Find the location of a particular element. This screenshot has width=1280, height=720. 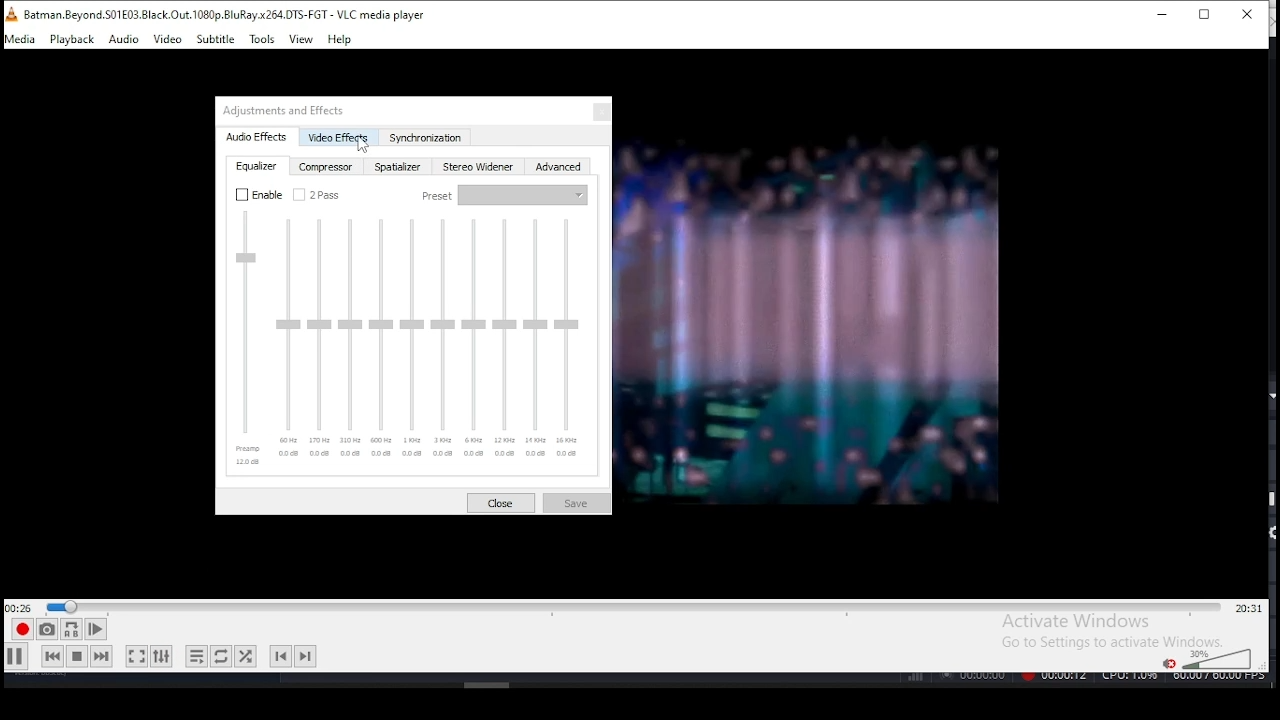

checkbox: enable/disable equalizer is located at coordinates (260, 195).